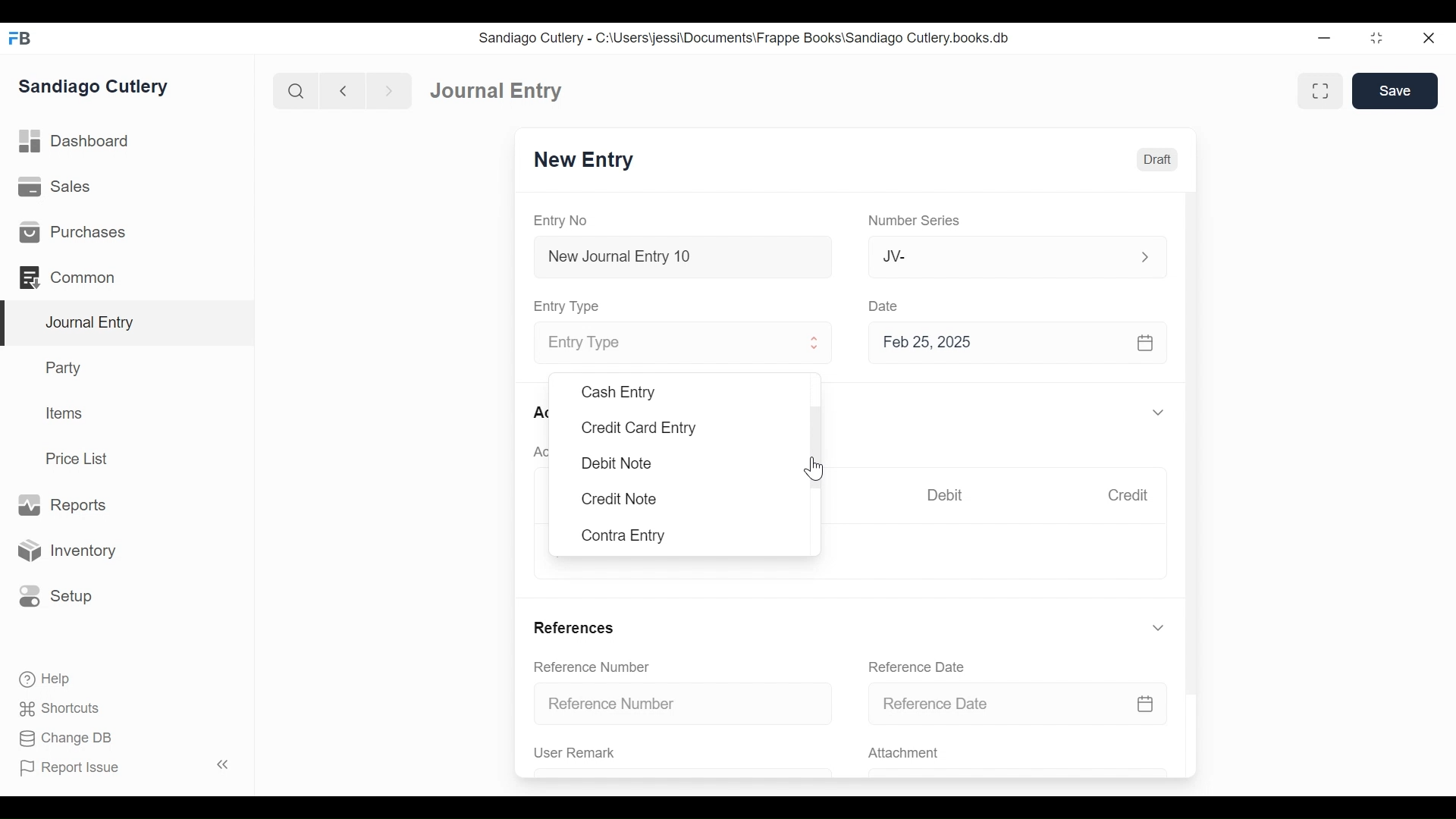  What do you see at coordinates (390, 89) in the screenshot?
I see `Navigate Forward` at bounding box center [390, 89].